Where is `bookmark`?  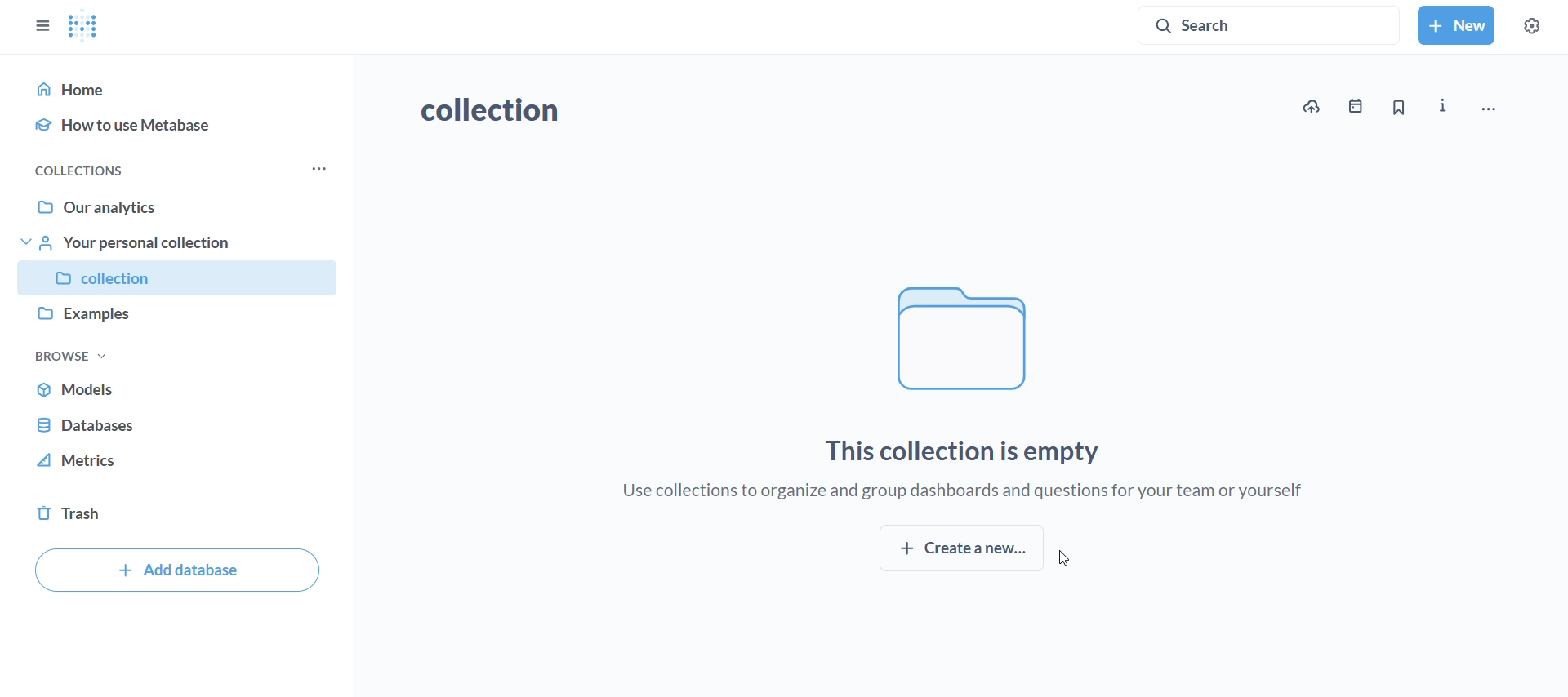
bookmark is located at coordinates (1404, 107).